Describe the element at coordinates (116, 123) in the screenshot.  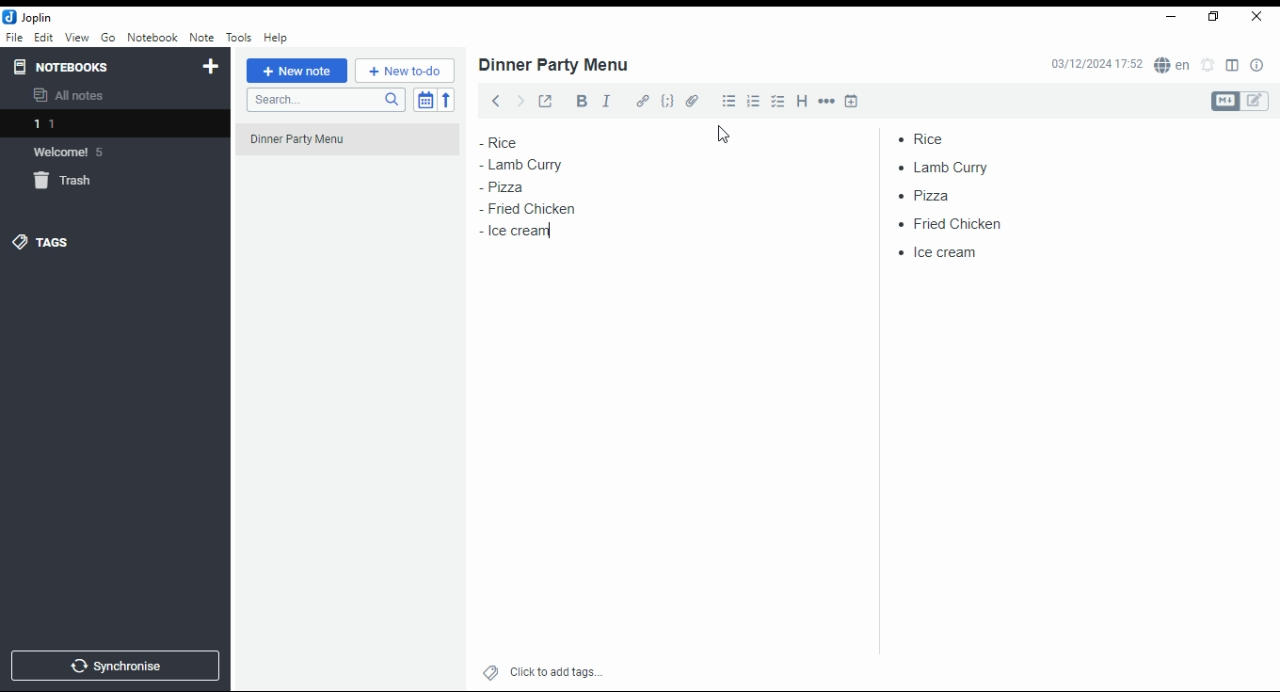
I see `1` at that location.